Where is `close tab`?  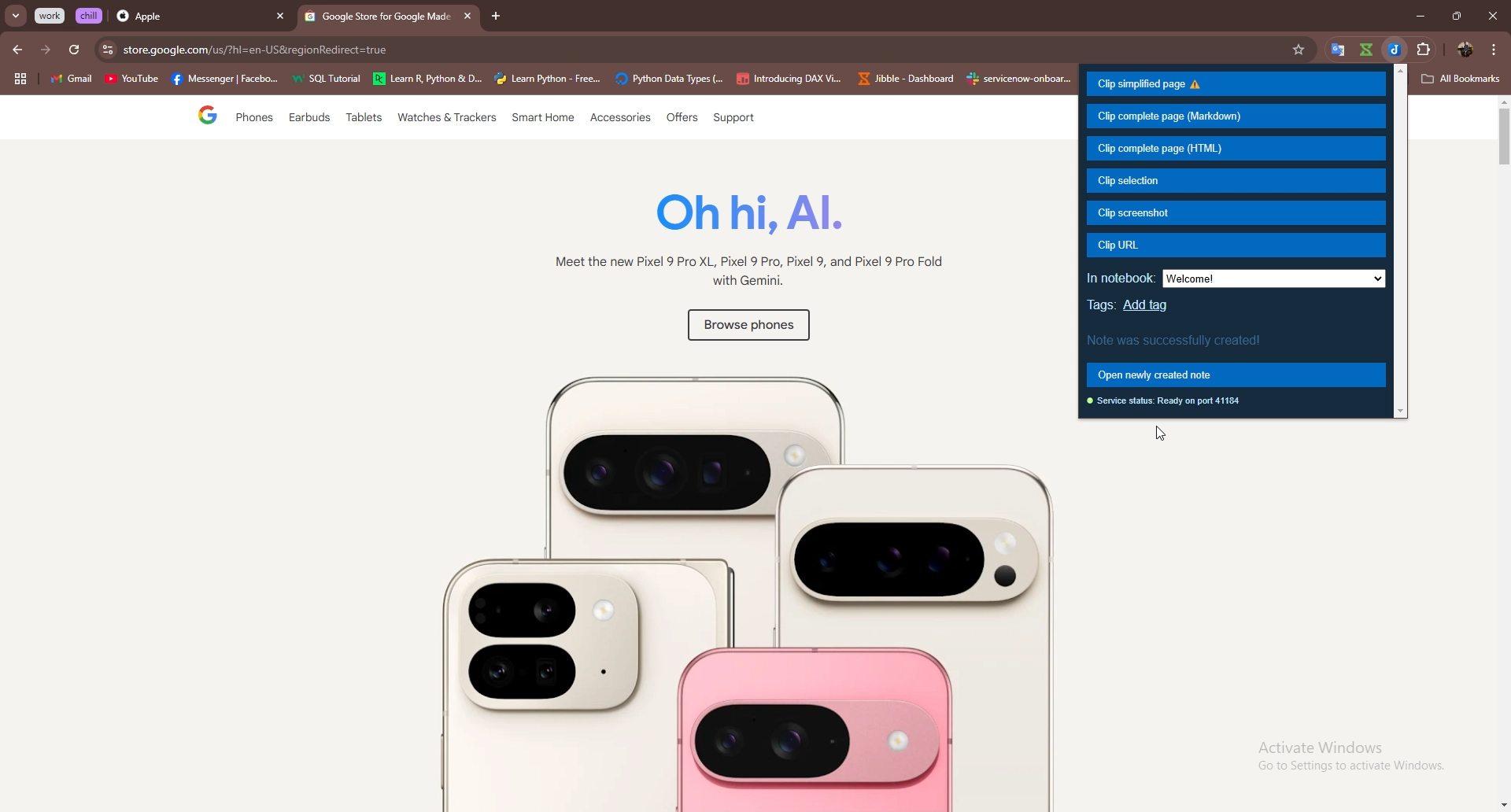
close tab is located at coordinates (465, 16).